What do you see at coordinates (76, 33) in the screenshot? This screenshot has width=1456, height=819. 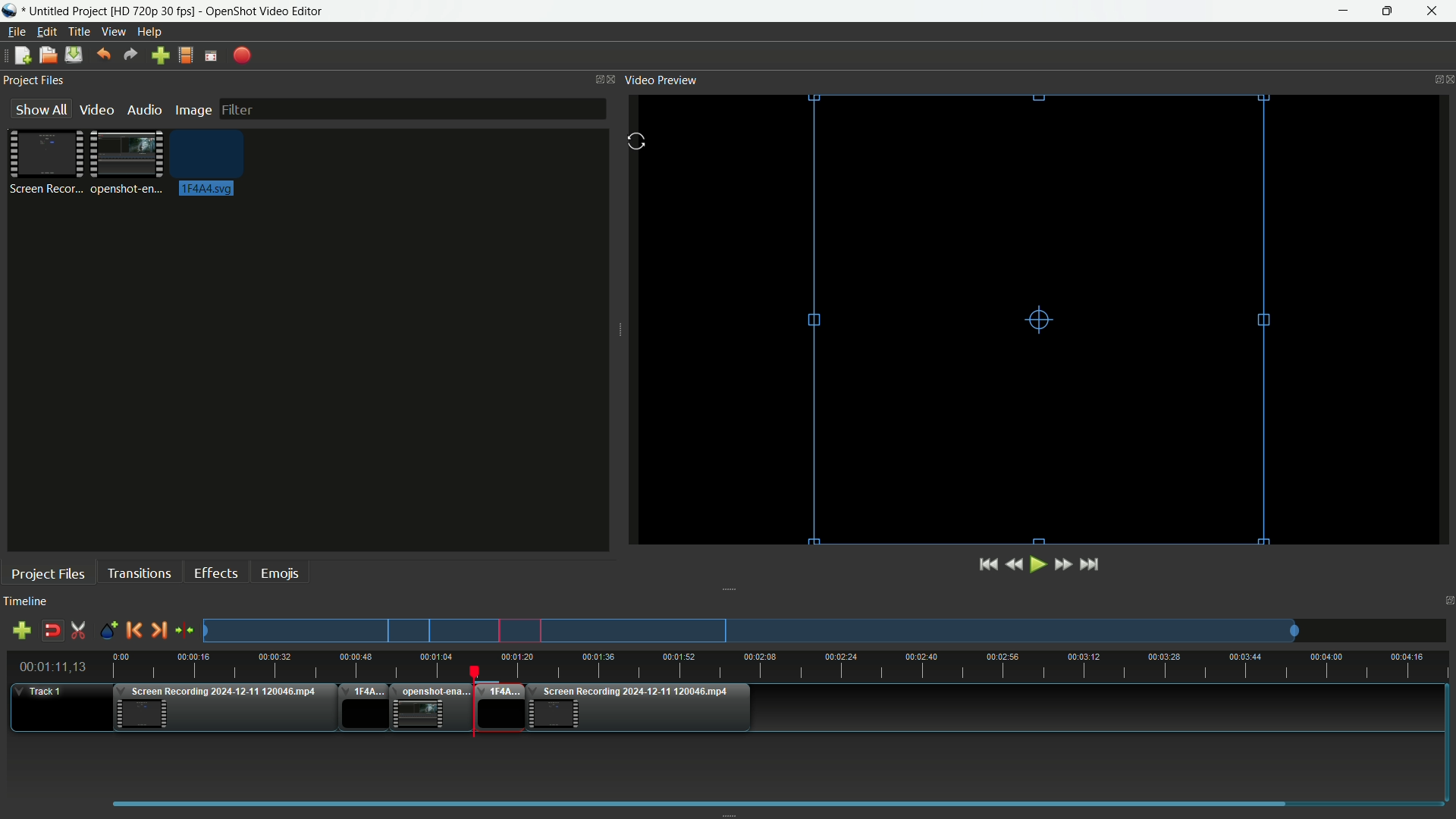 I see `Title menu` at bounding box center [76, 33].